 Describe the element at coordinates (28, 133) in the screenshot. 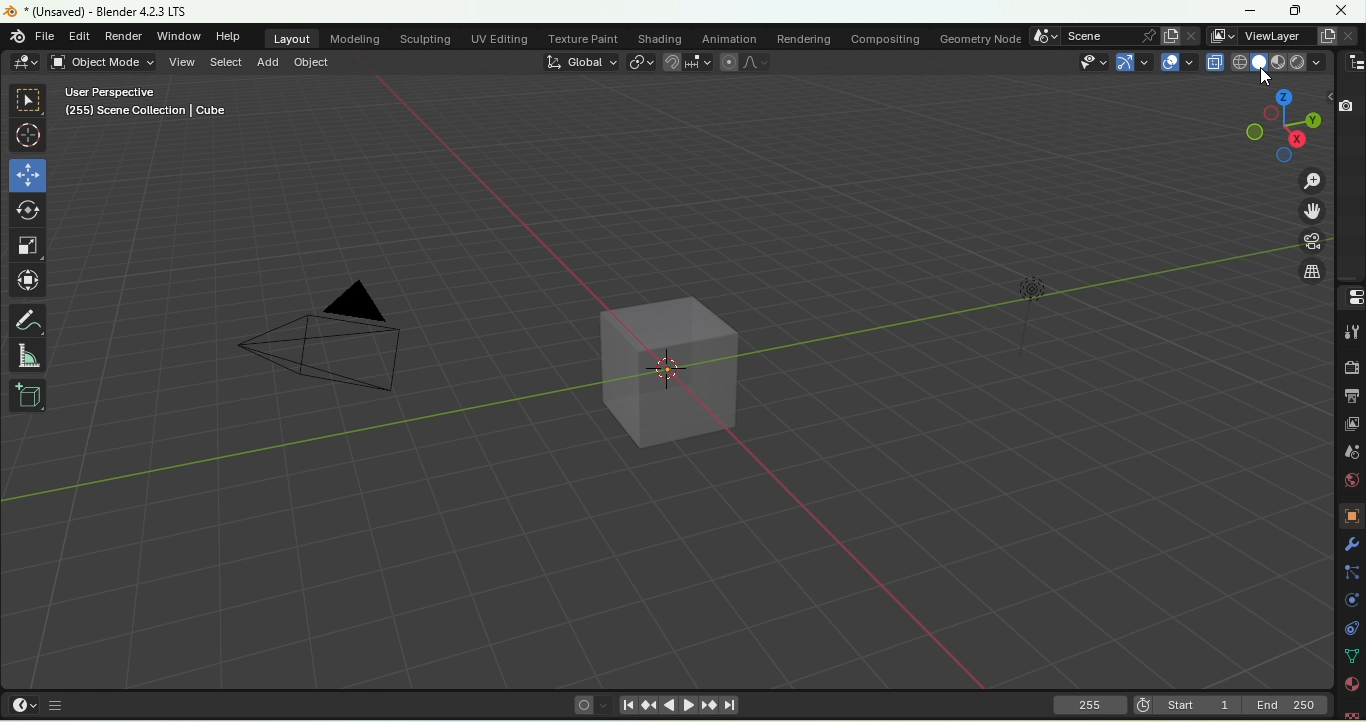

I see `Cursor` at that location.